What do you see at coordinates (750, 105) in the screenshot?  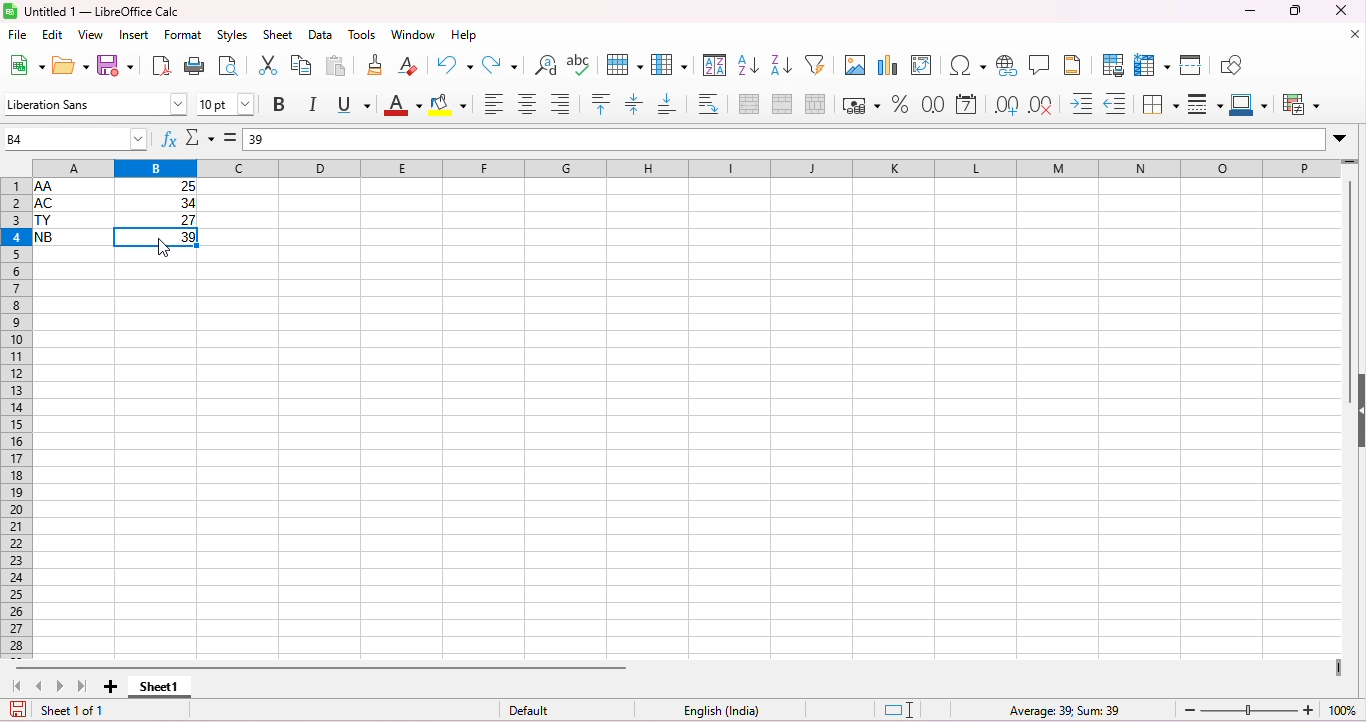 I see `merge and center` at bounding box center [750, 105].